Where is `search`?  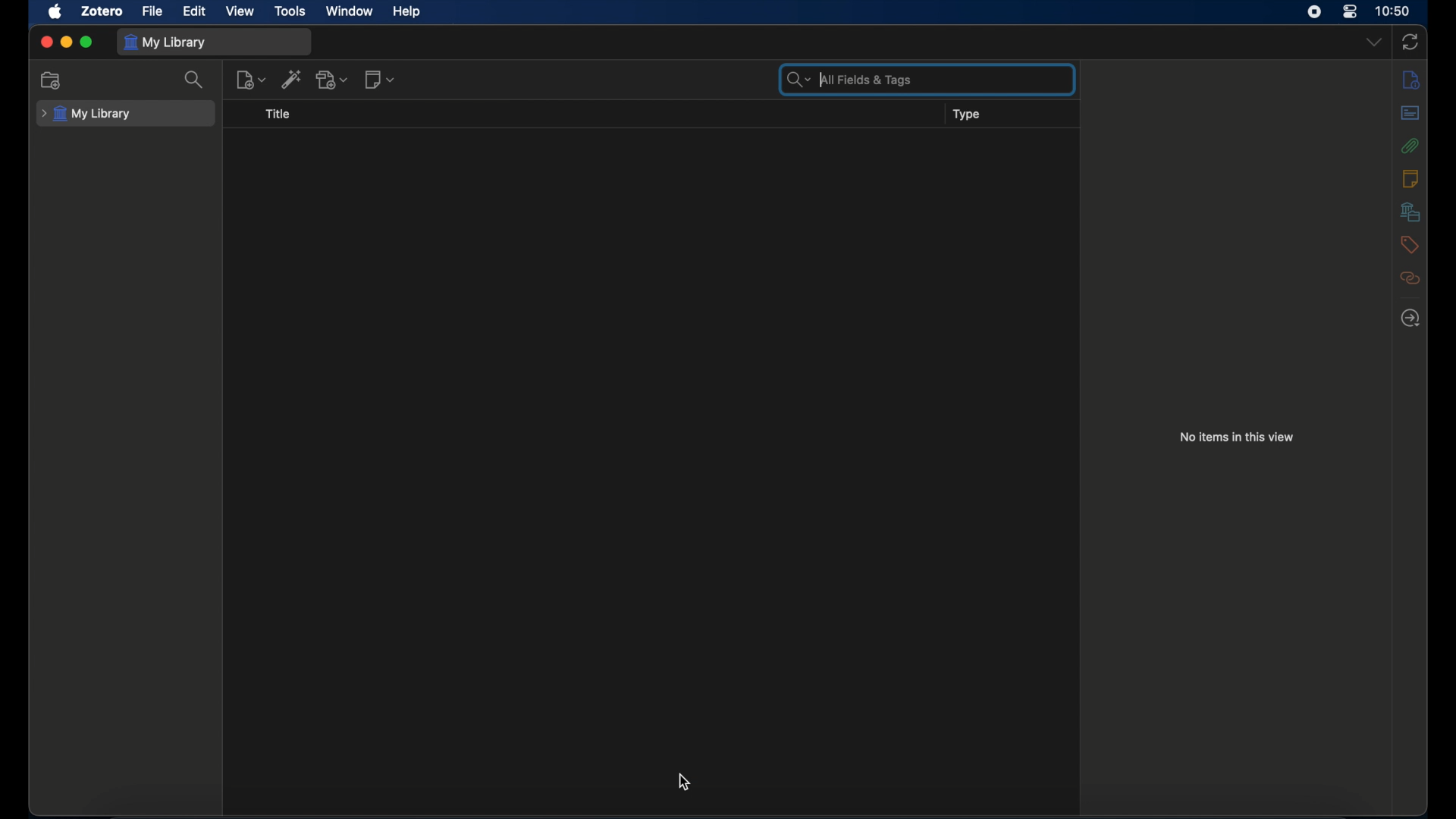 search is located at coordinates (196, 80).